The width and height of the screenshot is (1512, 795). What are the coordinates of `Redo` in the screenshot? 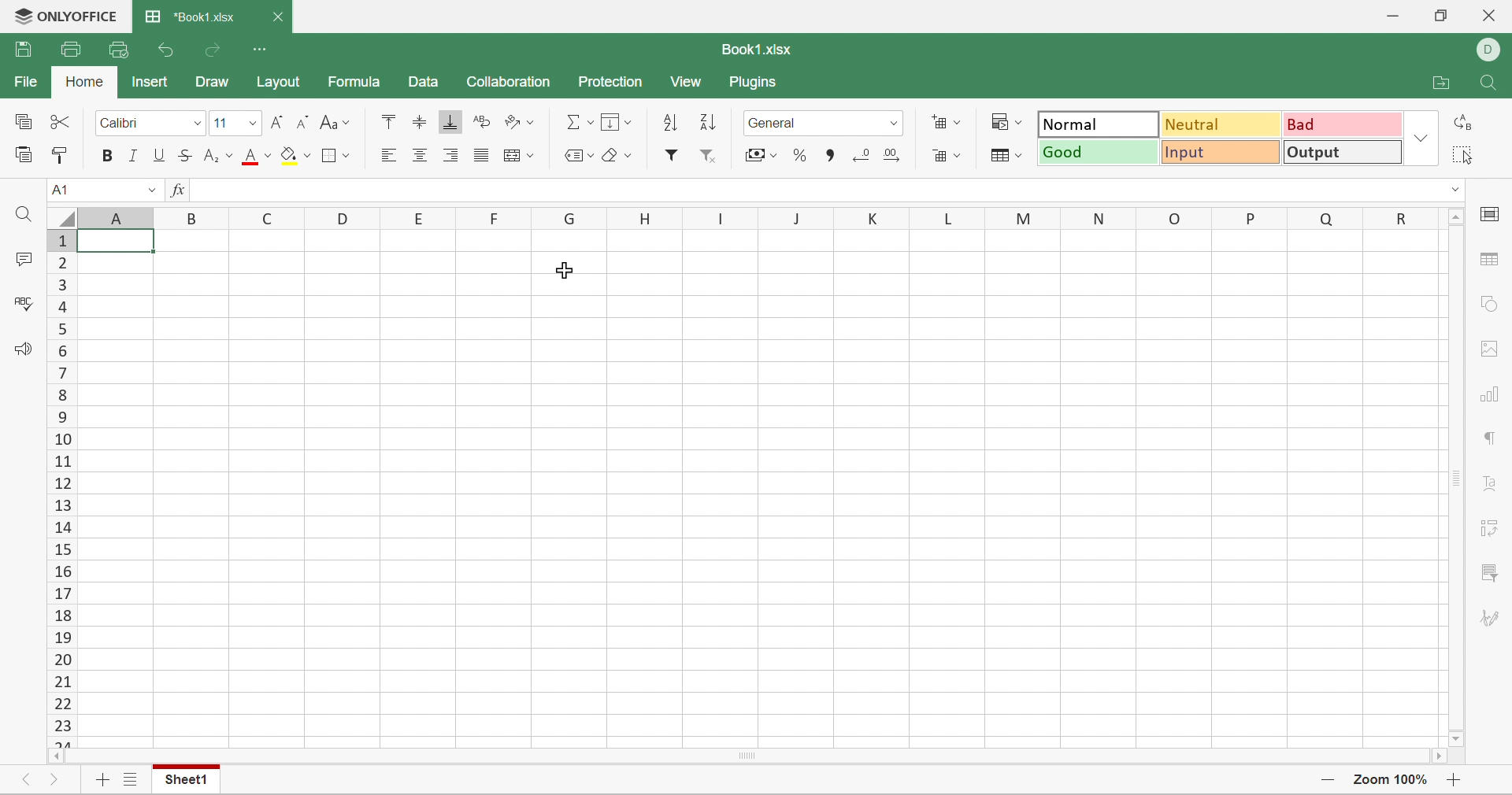 It's located at (215, 54).